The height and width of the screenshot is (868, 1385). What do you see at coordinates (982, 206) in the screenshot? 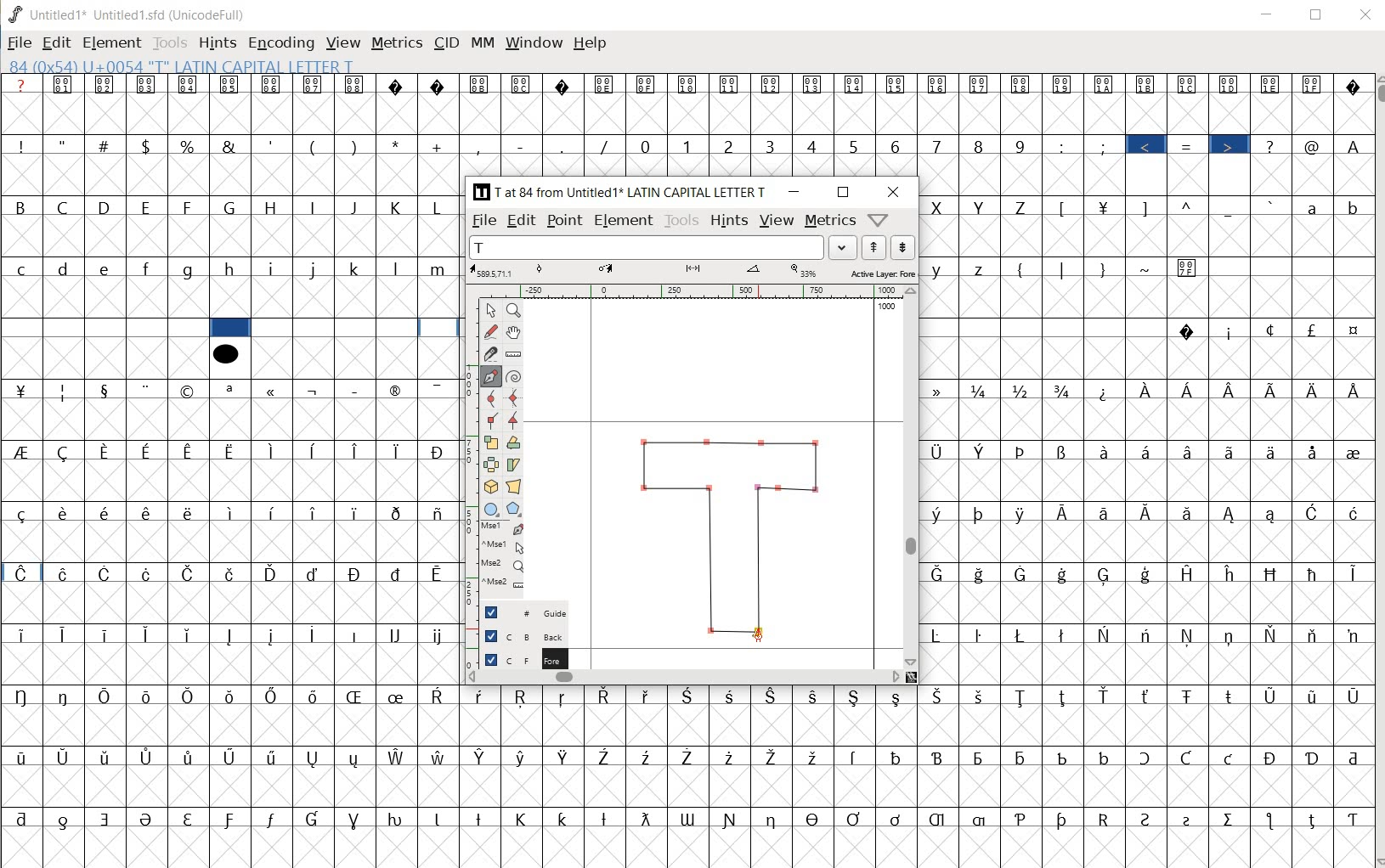
I see `Y` at bounding box center [982, 206].